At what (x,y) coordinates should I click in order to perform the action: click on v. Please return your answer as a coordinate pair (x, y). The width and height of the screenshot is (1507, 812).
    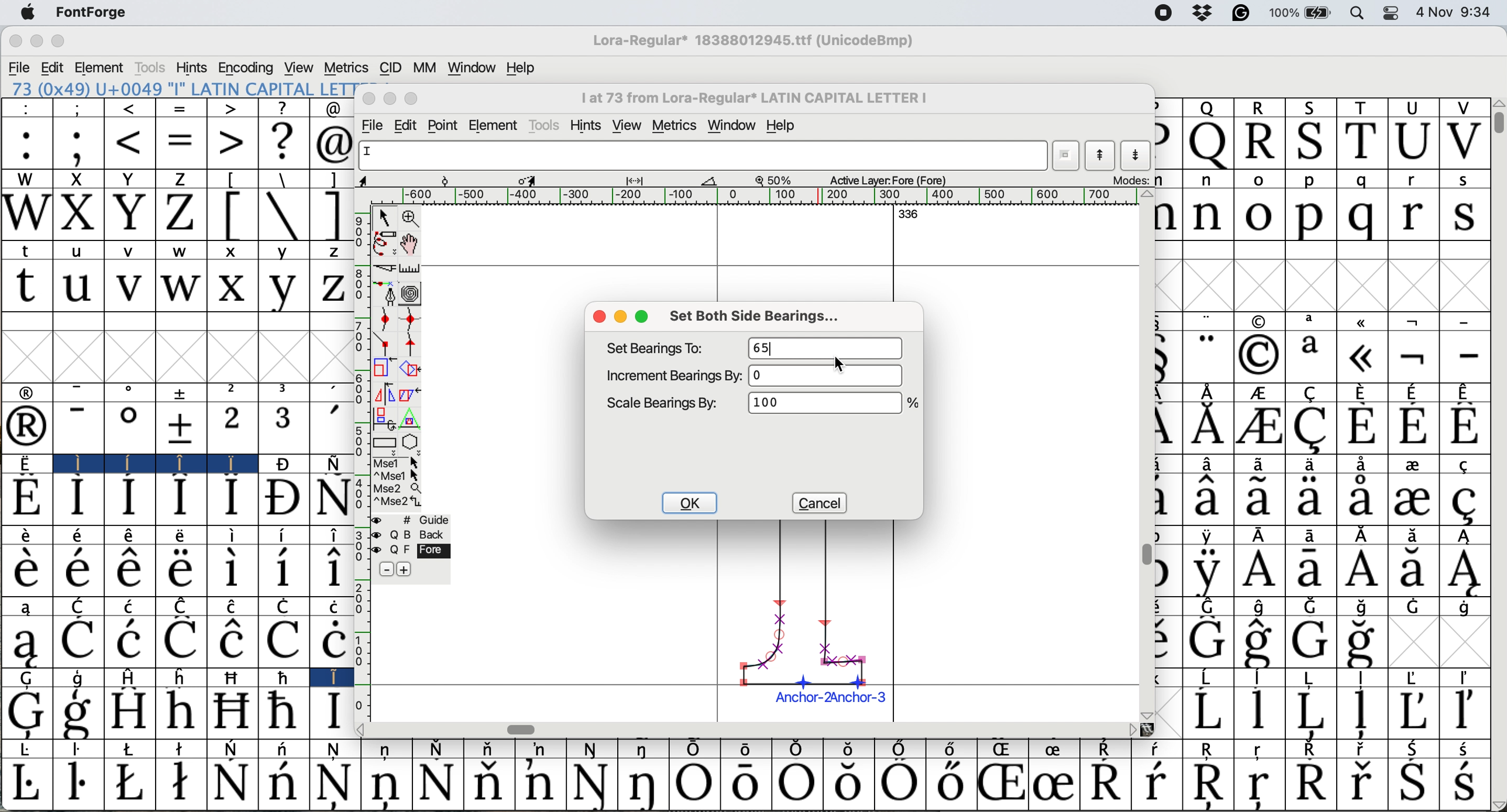
    Looking at the image, I should click on (129, 287).